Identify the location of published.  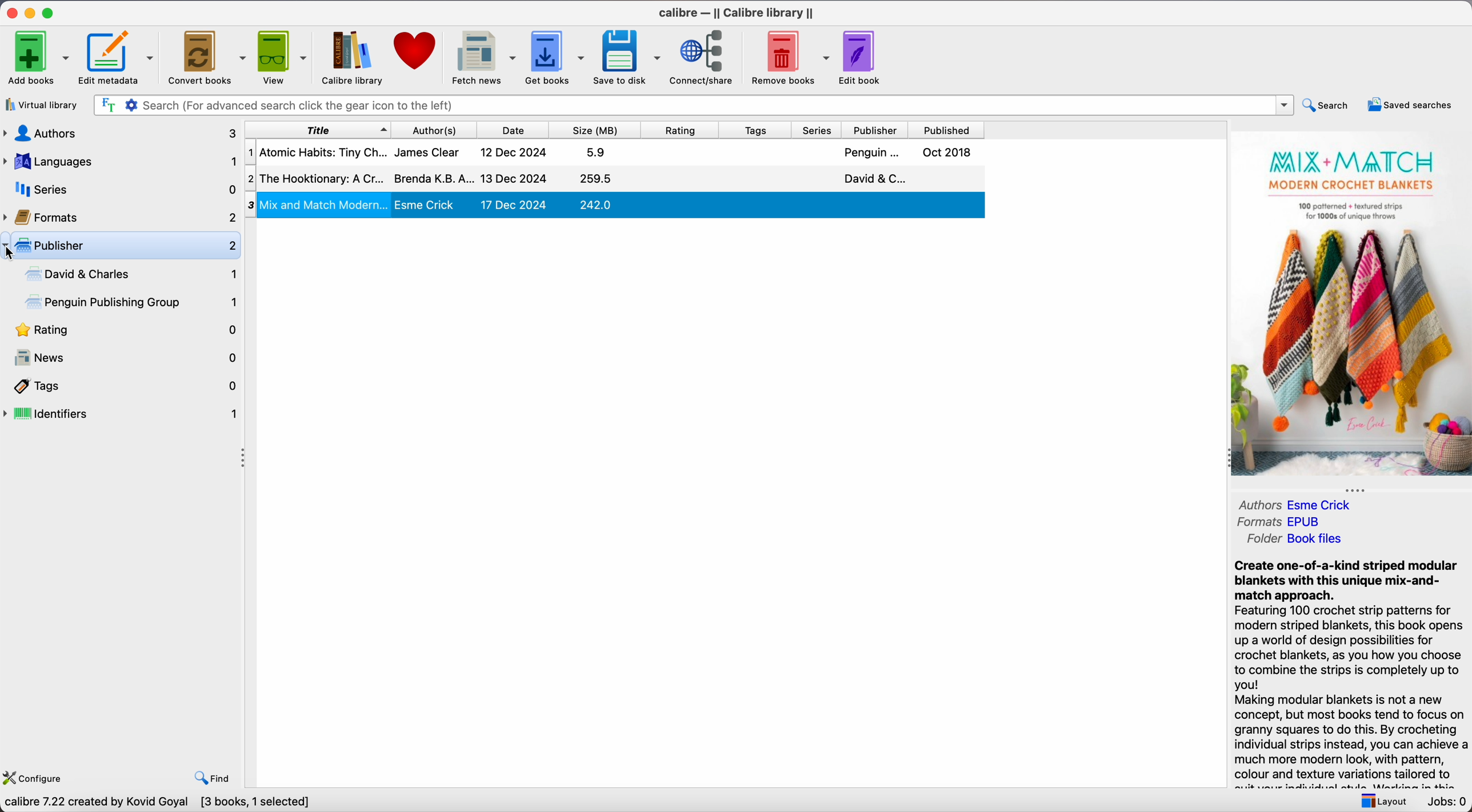
(947, 130).